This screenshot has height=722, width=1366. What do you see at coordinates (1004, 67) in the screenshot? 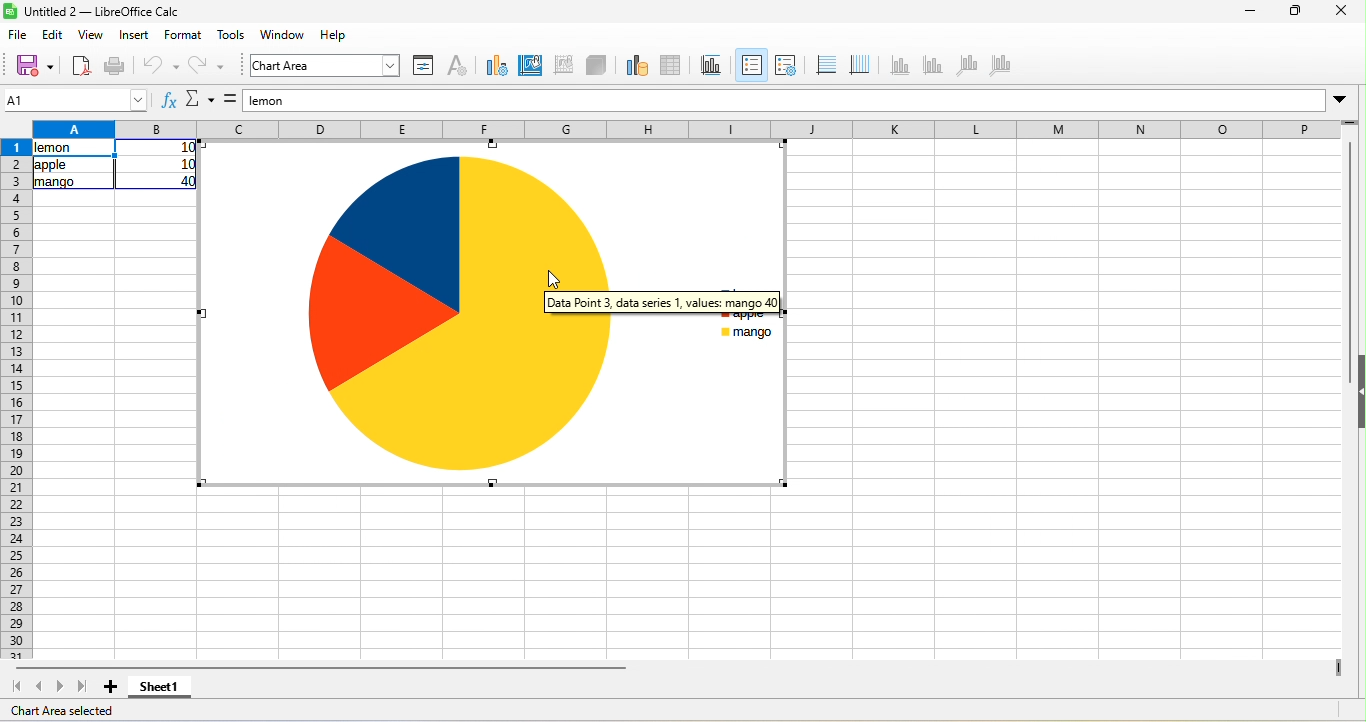
I see `all axes` at bounding box center [1004, 67].